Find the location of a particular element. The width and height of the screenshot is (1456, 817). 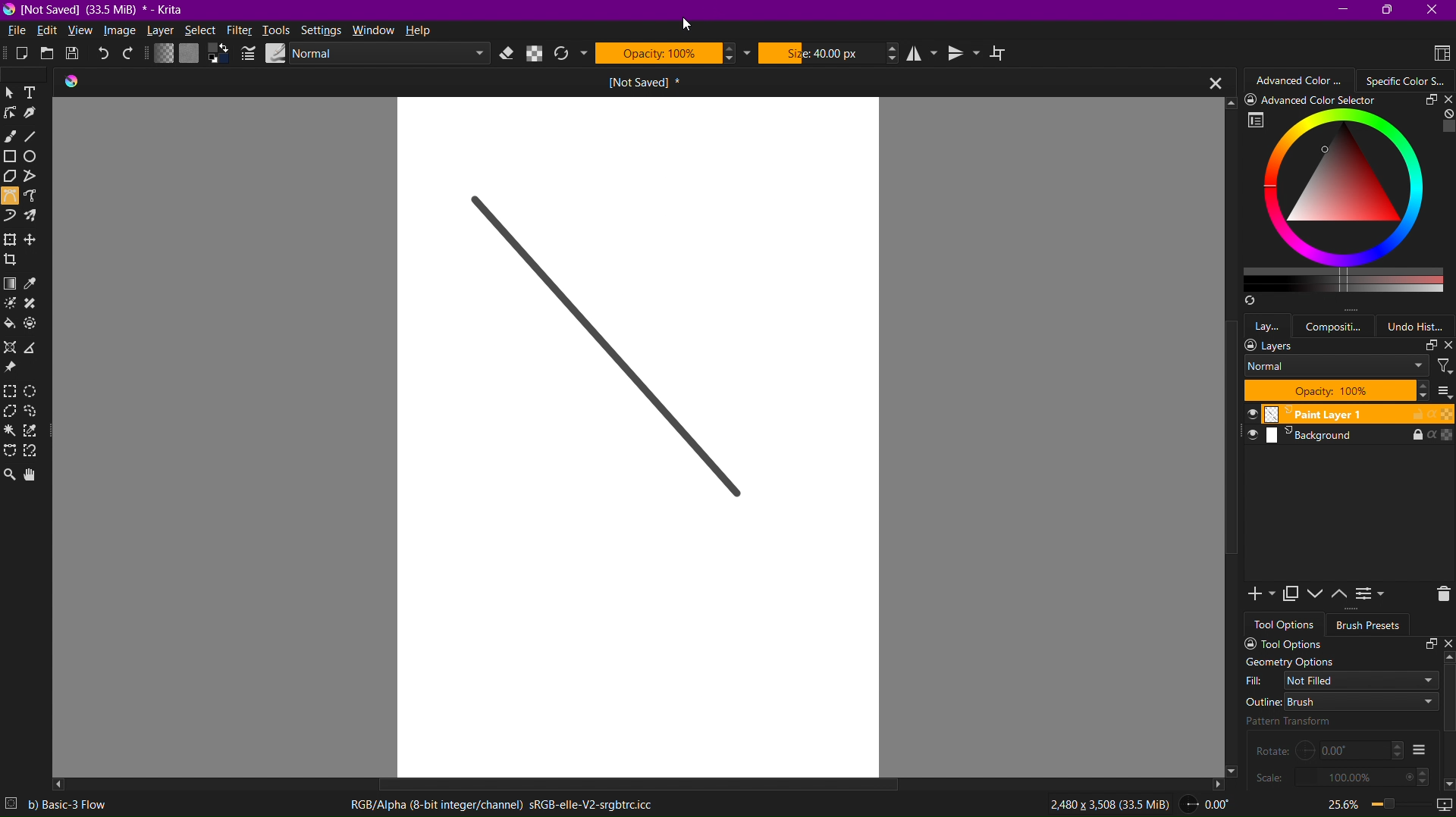

2,480 x 3,508 (33.5 MiB) -> 0.00 is located at coordinates (1133, 806).